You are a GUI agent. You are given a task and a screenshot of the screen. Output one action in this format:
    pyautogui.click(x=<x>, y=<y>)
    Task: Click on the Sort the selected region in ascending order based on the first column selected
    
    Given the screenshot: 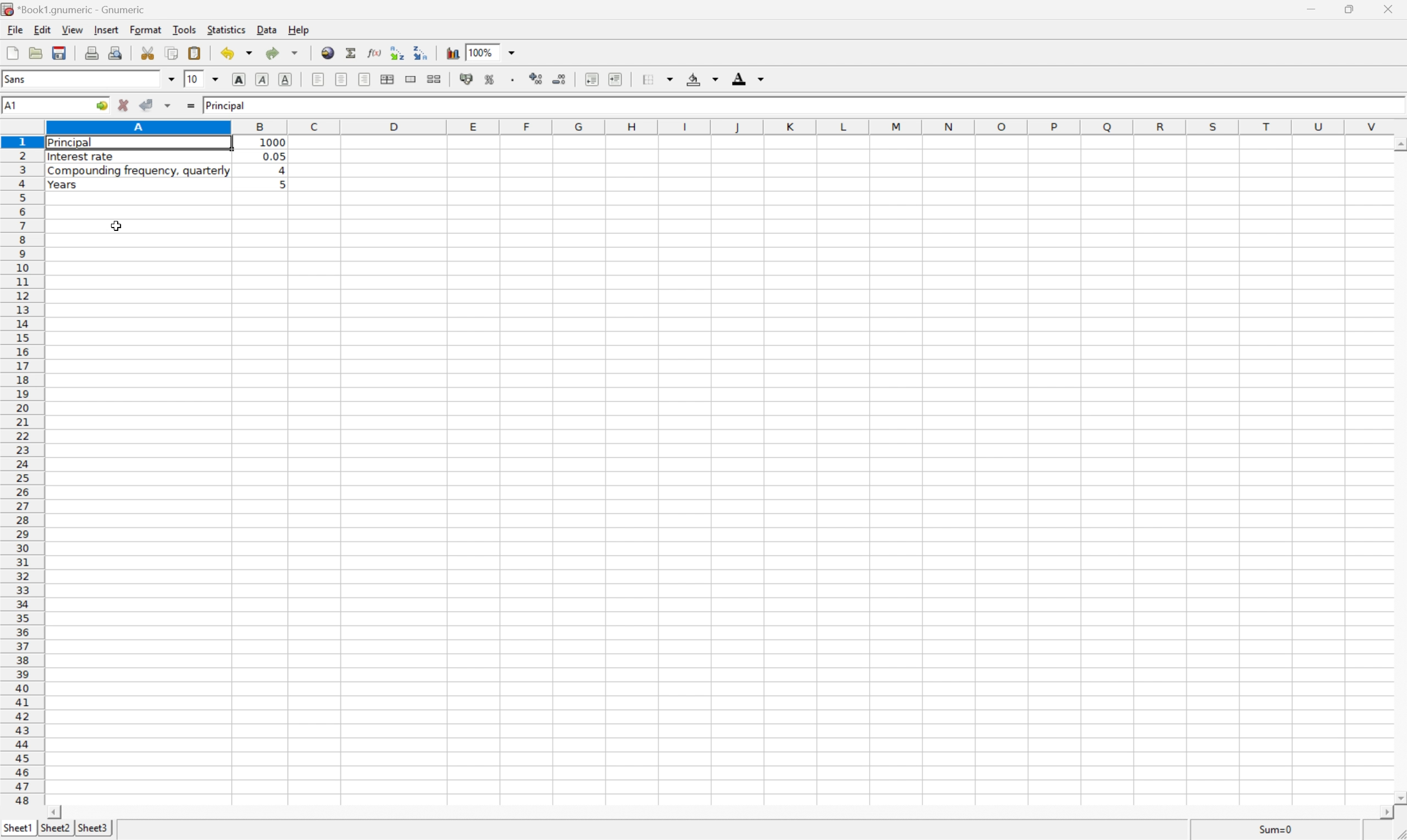 What is the action you would take?
    pyautogui.click(x=399, y=52)
    